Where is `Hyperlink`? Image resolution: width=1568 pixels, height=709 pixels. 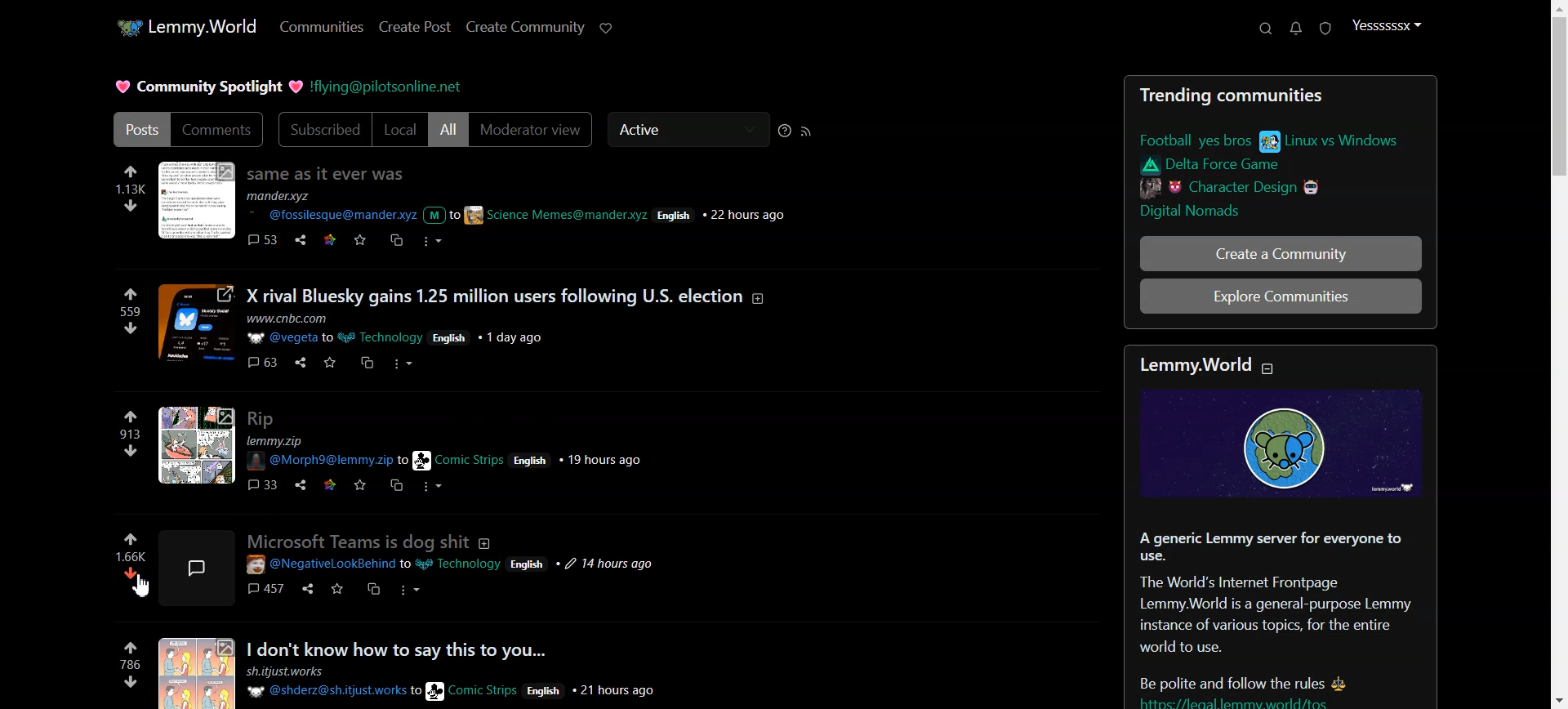 Hyperlink is located at coordinates (452, 565).